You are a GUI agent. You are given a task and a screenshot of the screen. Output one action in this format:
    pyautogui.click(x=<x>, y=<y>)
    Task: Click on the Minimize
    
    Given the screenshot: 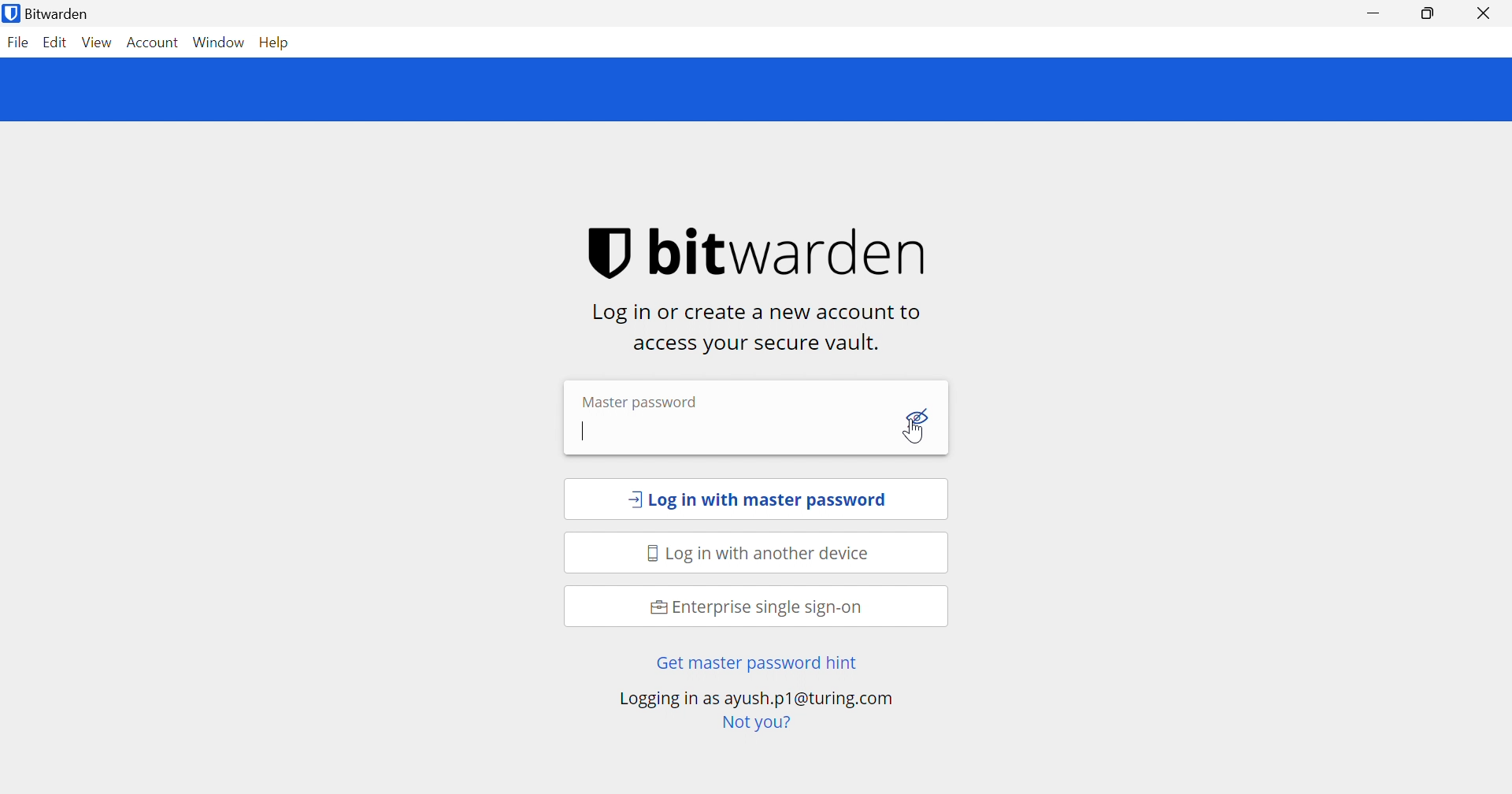 What is the action you would take?
    pyautogui.click(x=1377, y=13)
    